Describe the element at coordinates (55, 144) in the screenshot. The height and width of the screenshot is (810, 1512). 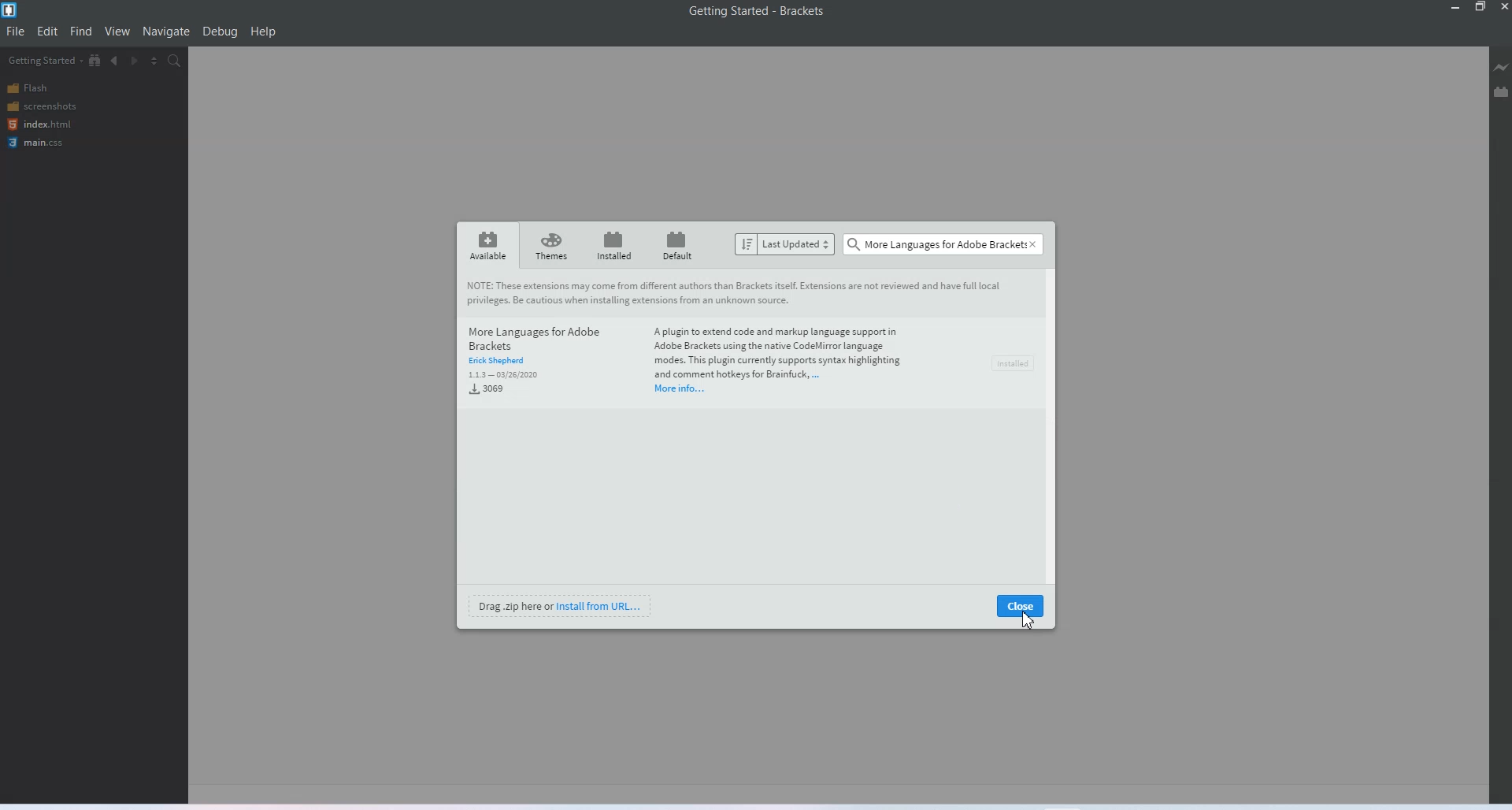
I see `Main css` at that location.